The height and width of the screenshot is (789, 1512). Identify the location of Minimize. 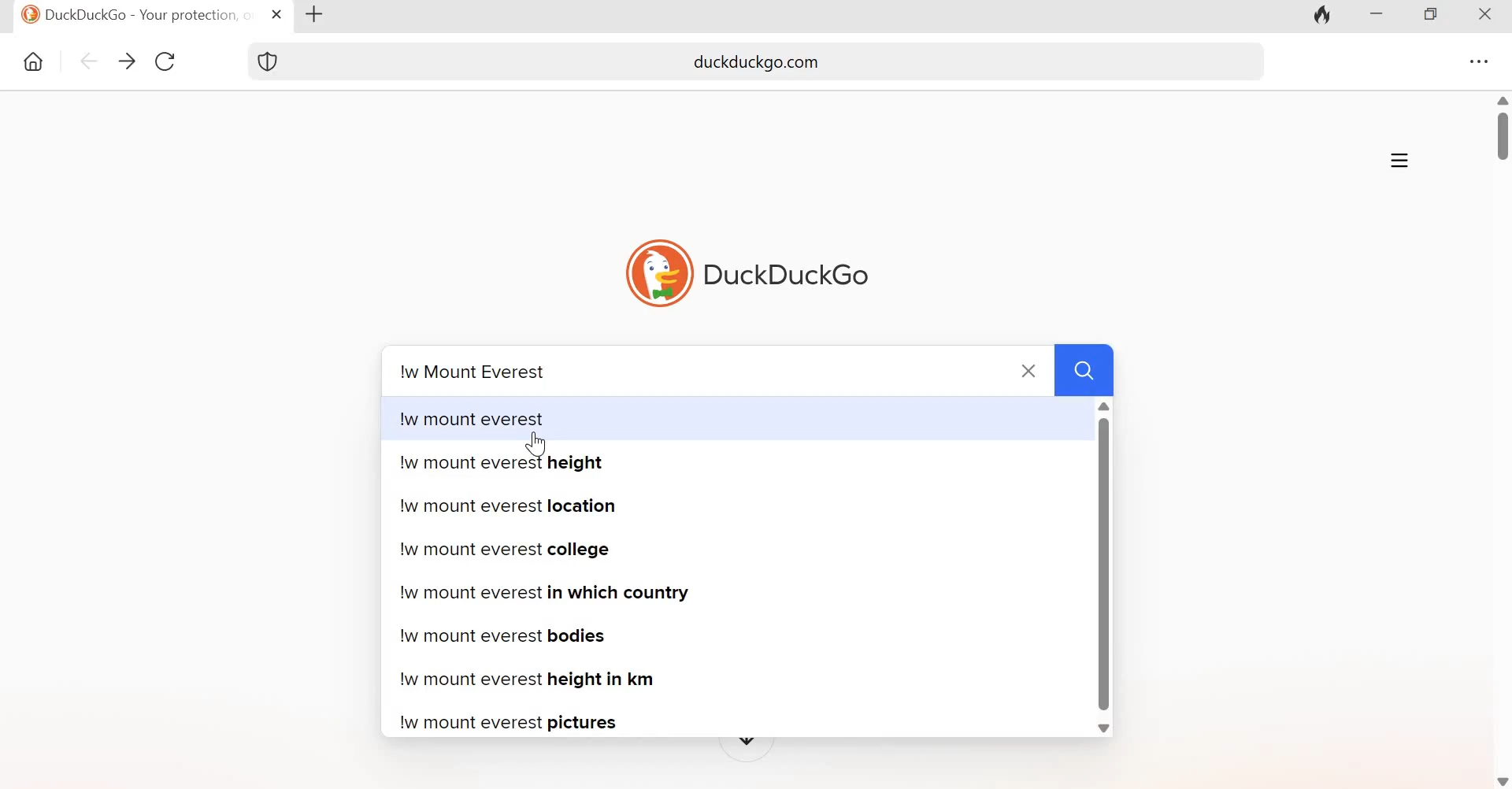
(1381, 17).